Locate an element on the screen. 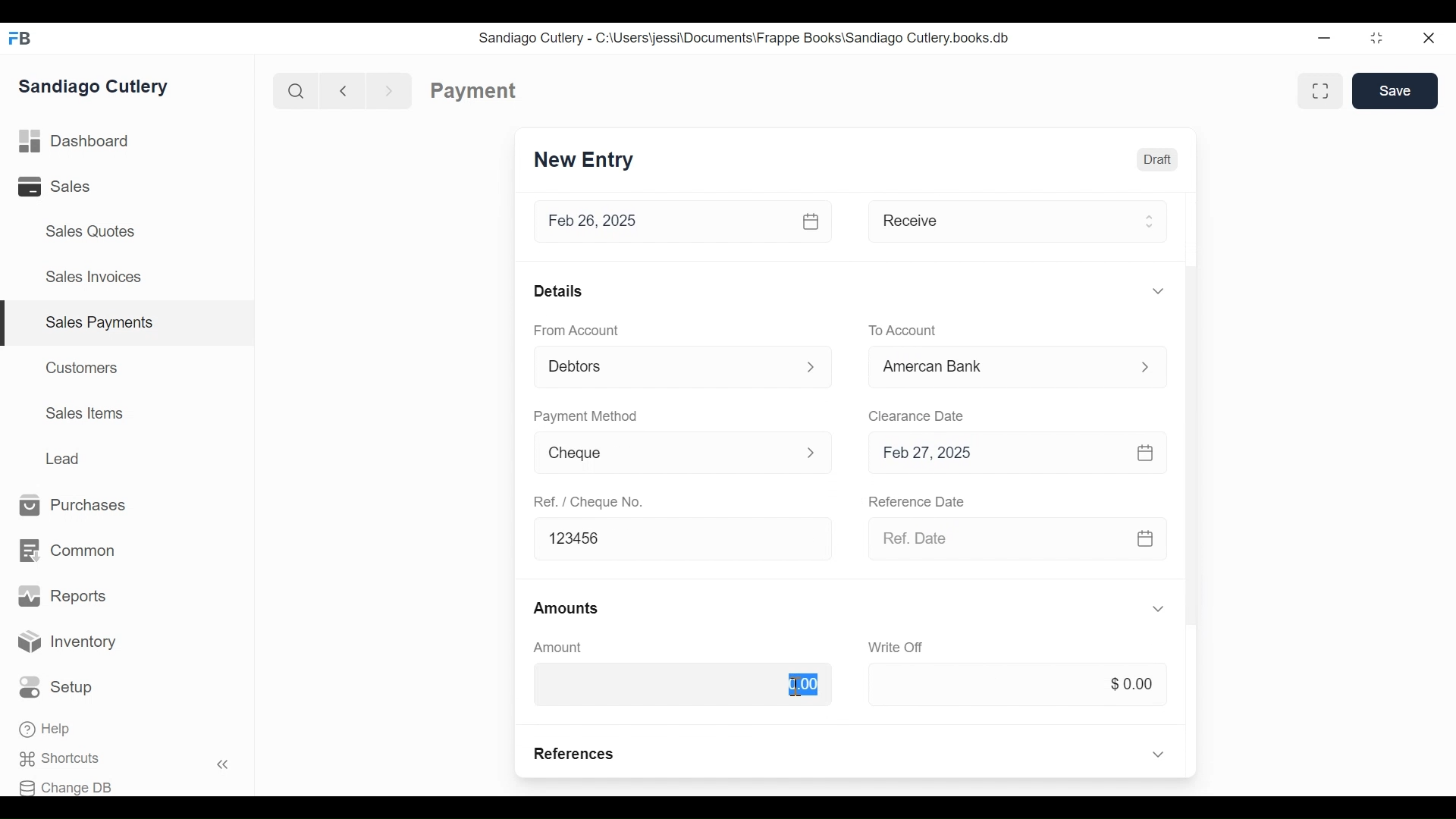 Image resolution: width=1456 pixels, height=819 pixels. Ref. / Cheque No. is located at coordinates (591, 502).